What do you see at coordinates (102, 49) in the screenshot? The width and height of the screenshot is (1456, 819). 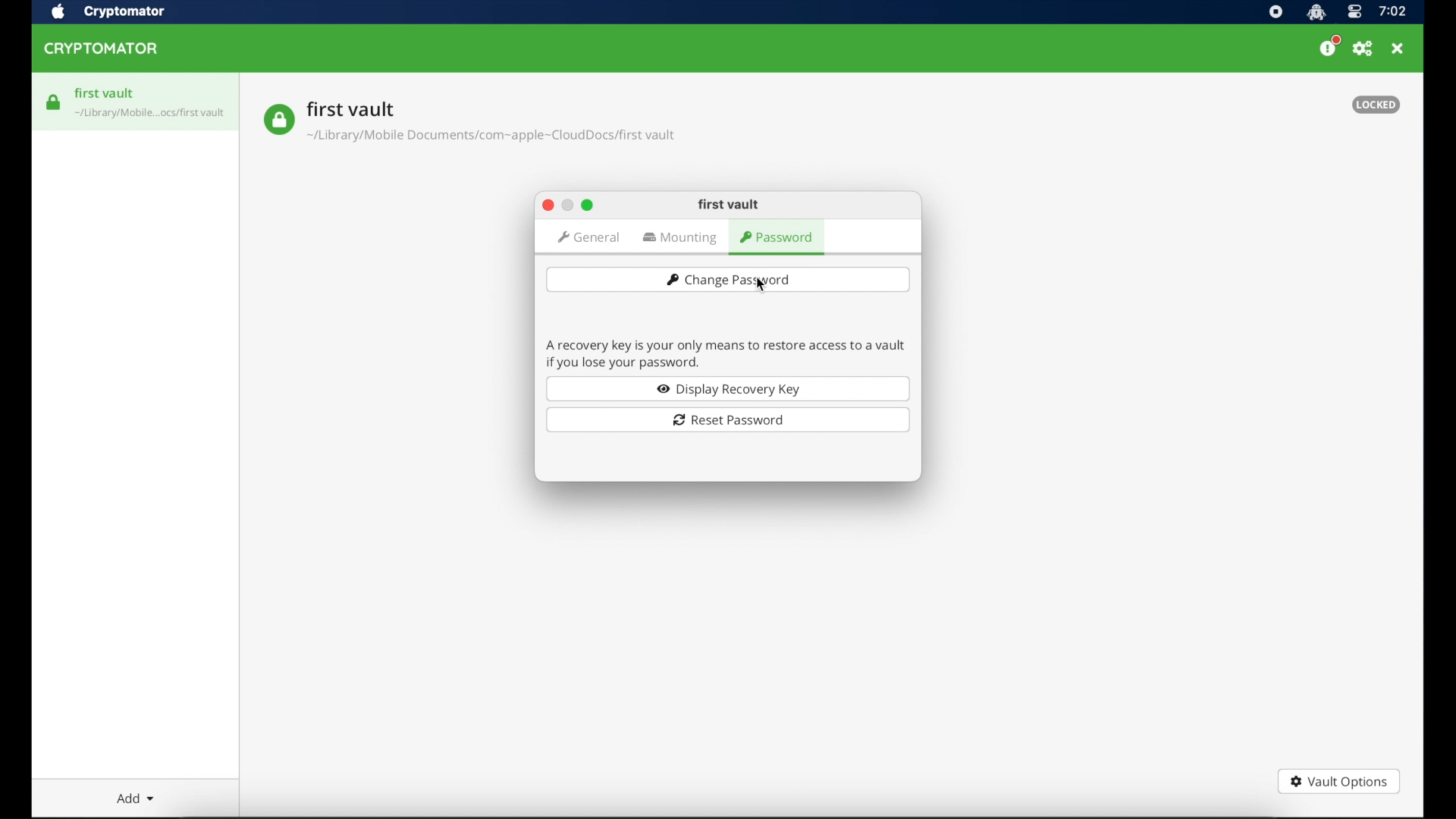 I see `cryptomator` at bounding box center [102, 49].